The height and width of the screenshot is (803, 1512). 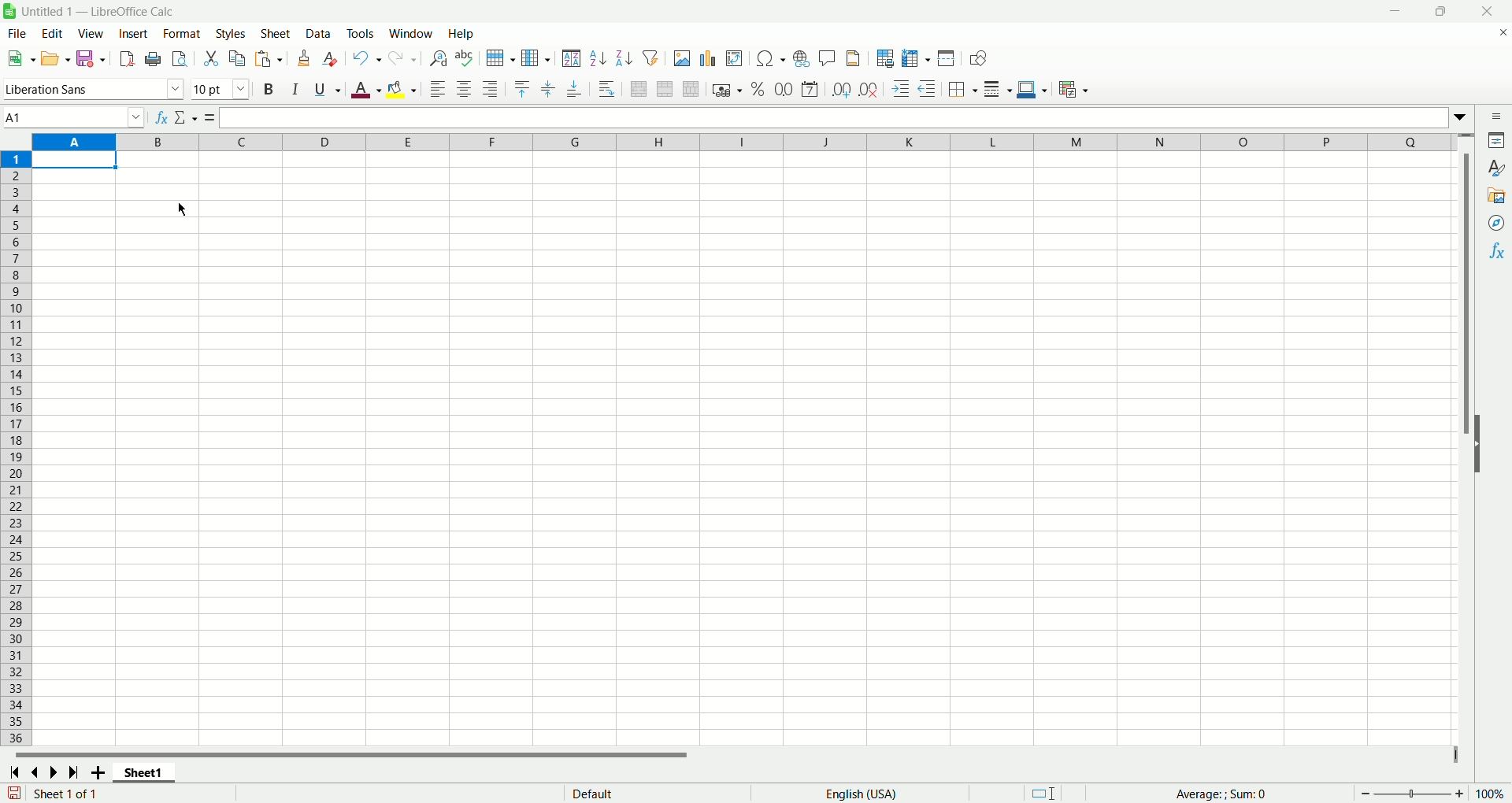 I want to click on help, so click(x=462, y=34).